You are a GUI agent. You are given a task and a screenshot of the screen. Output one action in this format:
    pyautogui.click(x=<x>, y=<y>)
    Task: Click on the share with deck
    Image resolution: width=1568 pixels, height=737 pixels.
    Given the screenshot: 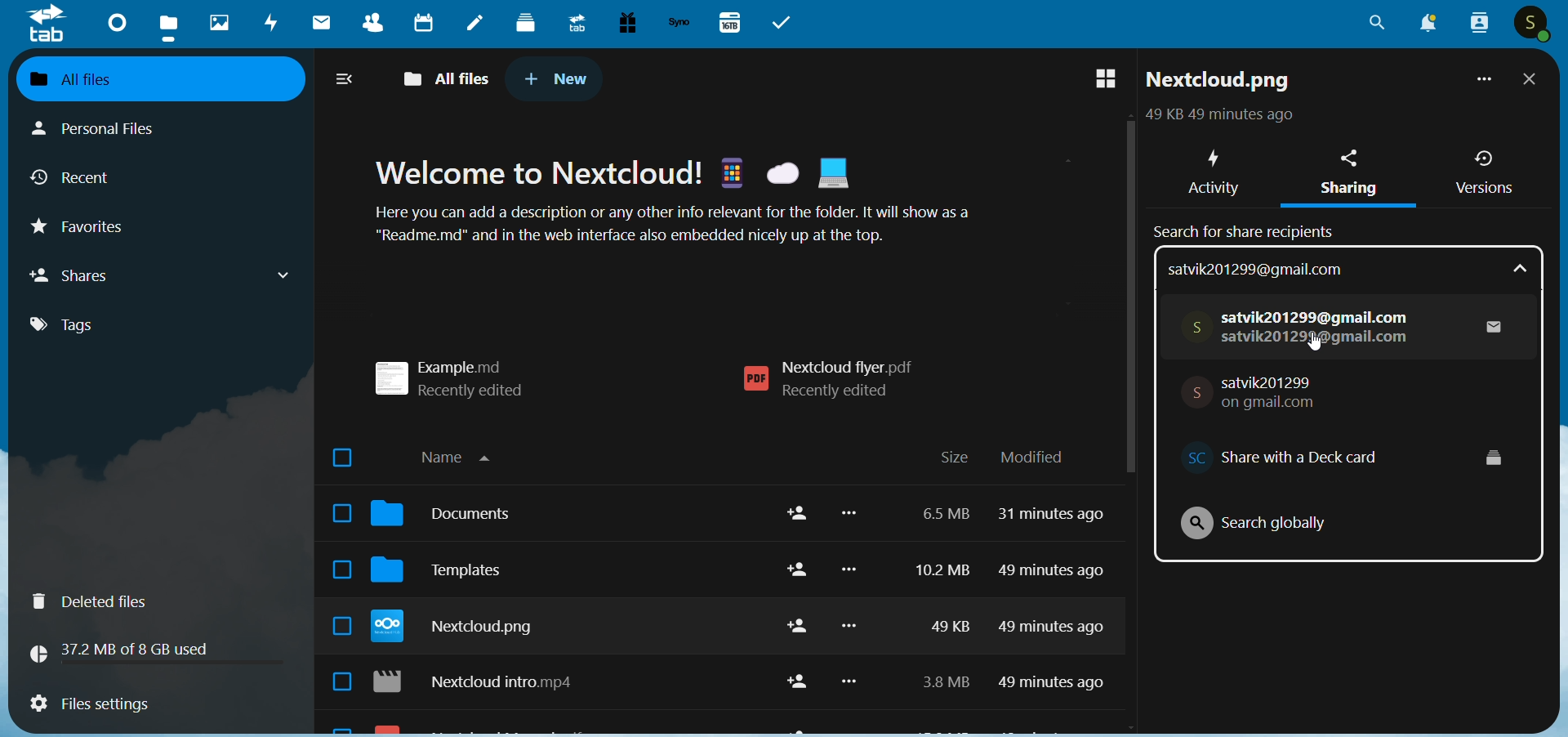 What is the action you would take?
    pyautogui.click(x=1329, y=458)
    